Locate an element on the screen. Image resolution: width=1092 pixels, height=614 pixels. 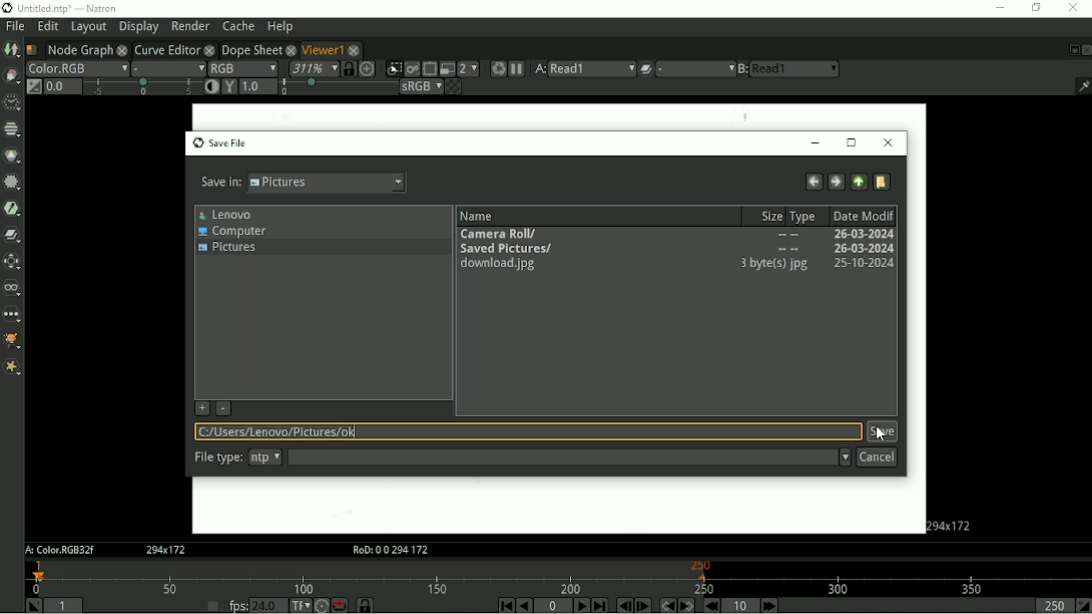
Current frame is located at coordinates (553, 606).